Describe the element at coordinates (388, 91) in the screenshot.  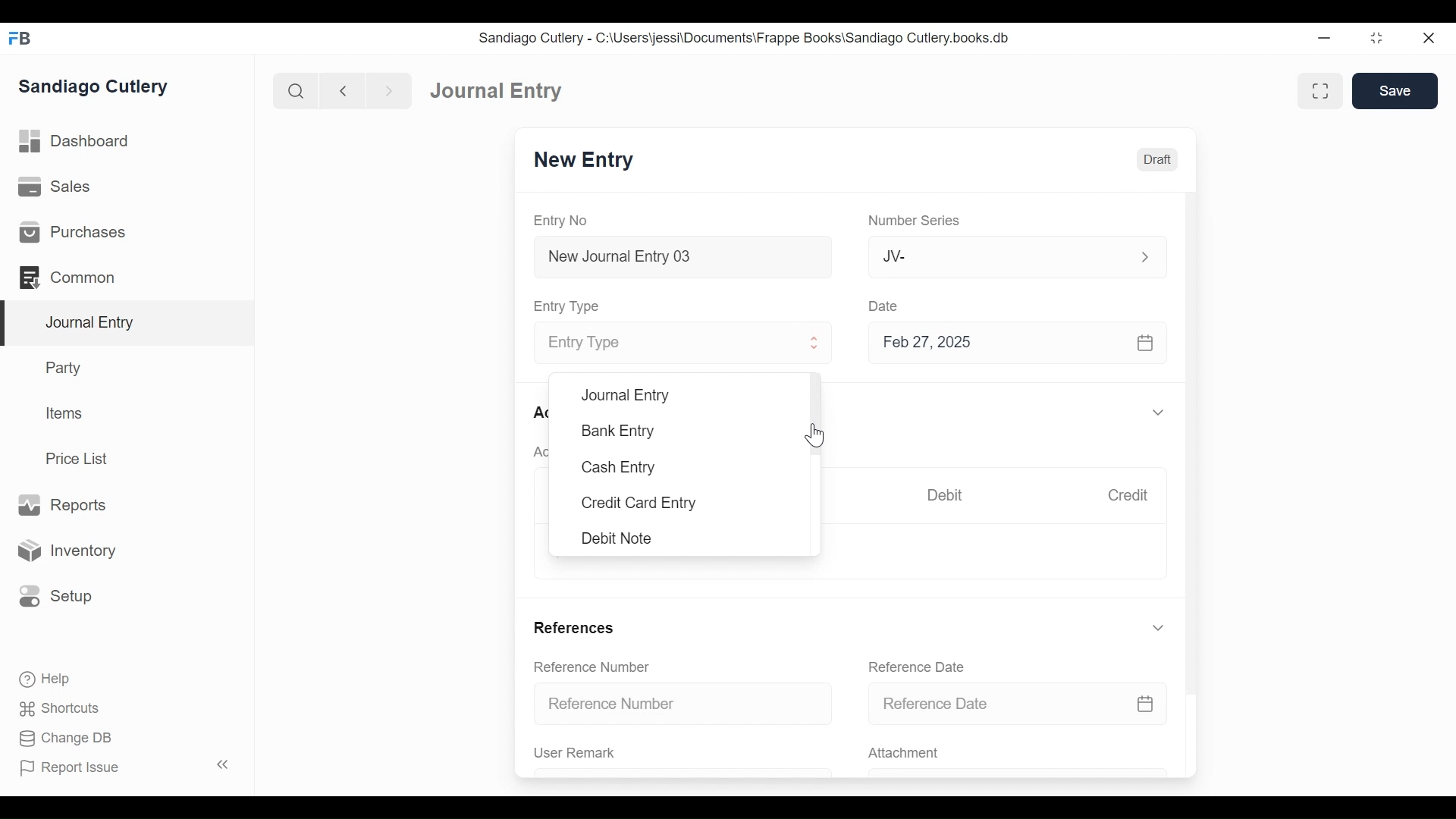
I see `Navigate forward` at that location.